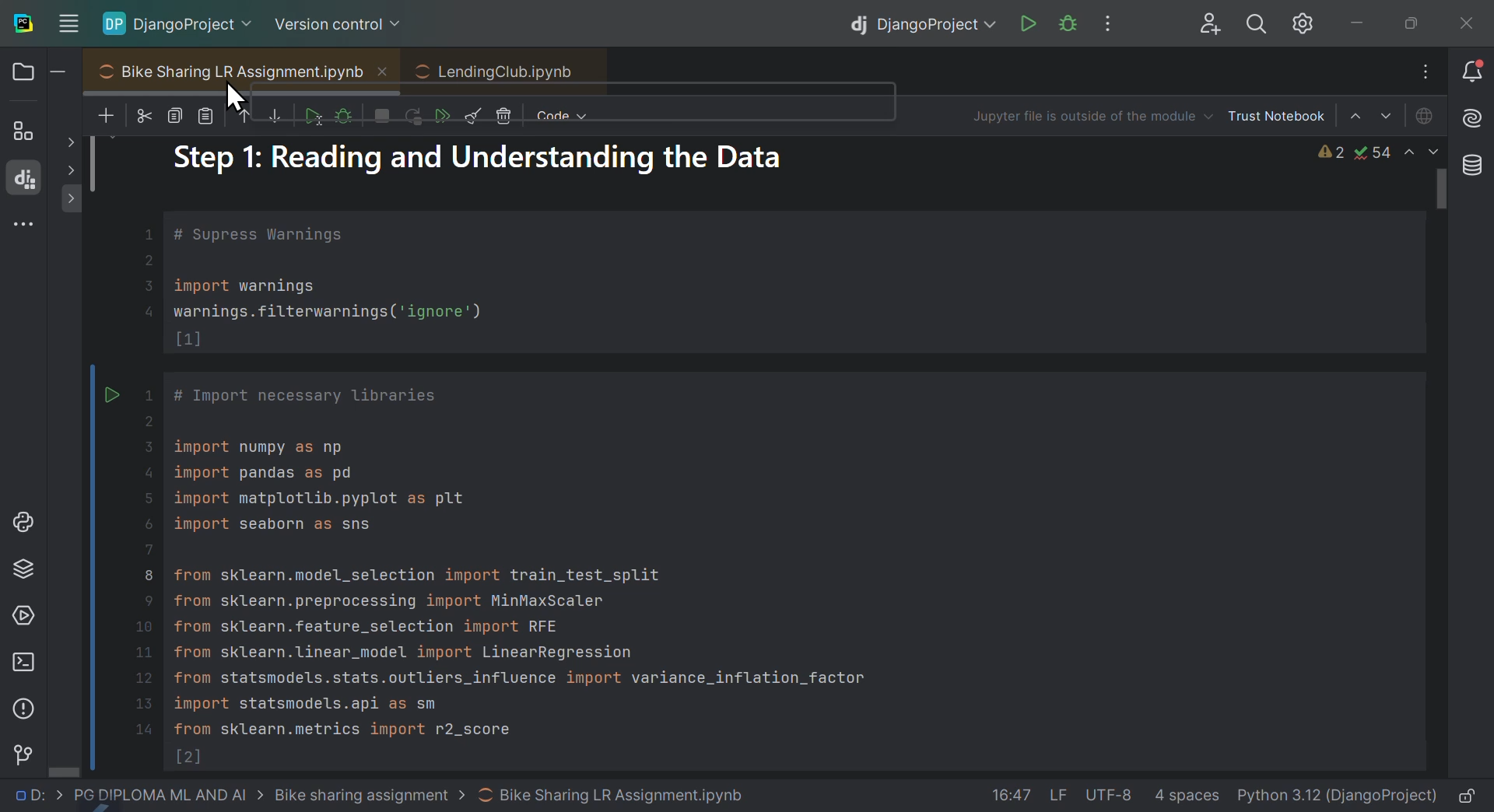 The width and height of the screenshot is (1494, 812). What do you see at coordinates (72, 24) in the screenshot?
I see `` at bounding box center [72, 24].